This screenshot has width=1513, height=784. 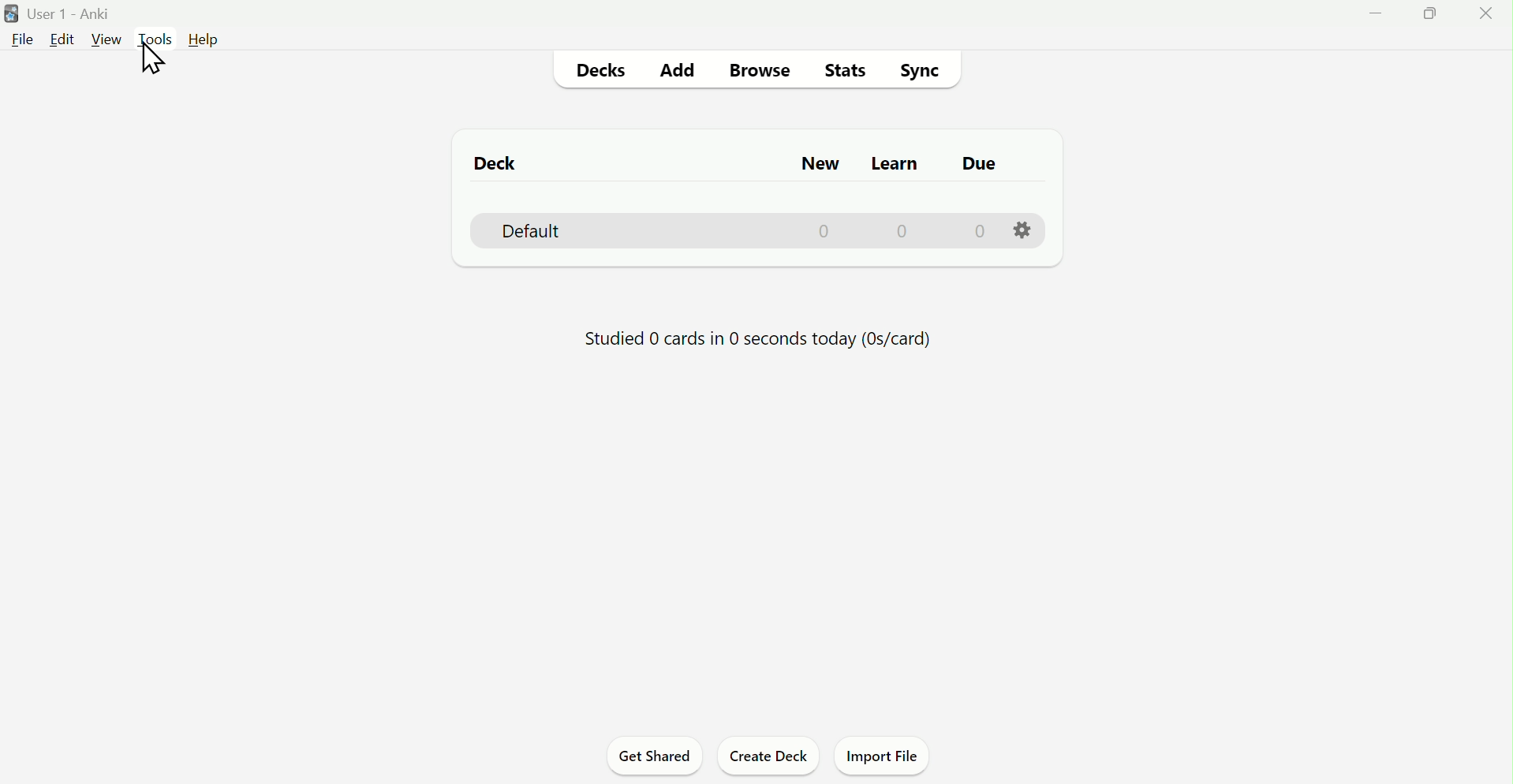 What do you see at coordinates (107, 39) in the screenshot?
I see `View` at bounding box center [107, 39].